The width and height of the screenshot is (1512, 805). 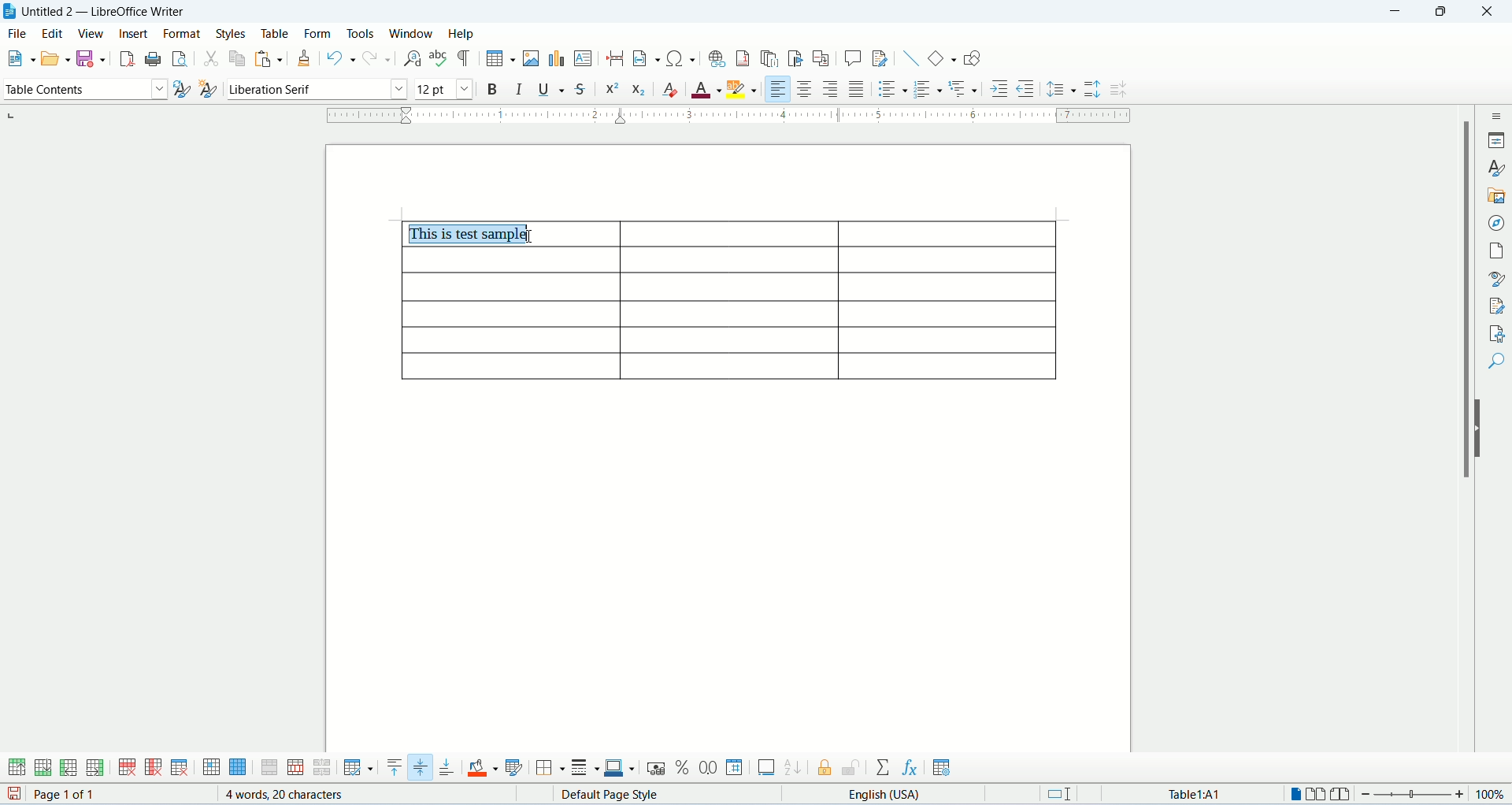 I want to click on insert footnote, so click(x=743, y=57).